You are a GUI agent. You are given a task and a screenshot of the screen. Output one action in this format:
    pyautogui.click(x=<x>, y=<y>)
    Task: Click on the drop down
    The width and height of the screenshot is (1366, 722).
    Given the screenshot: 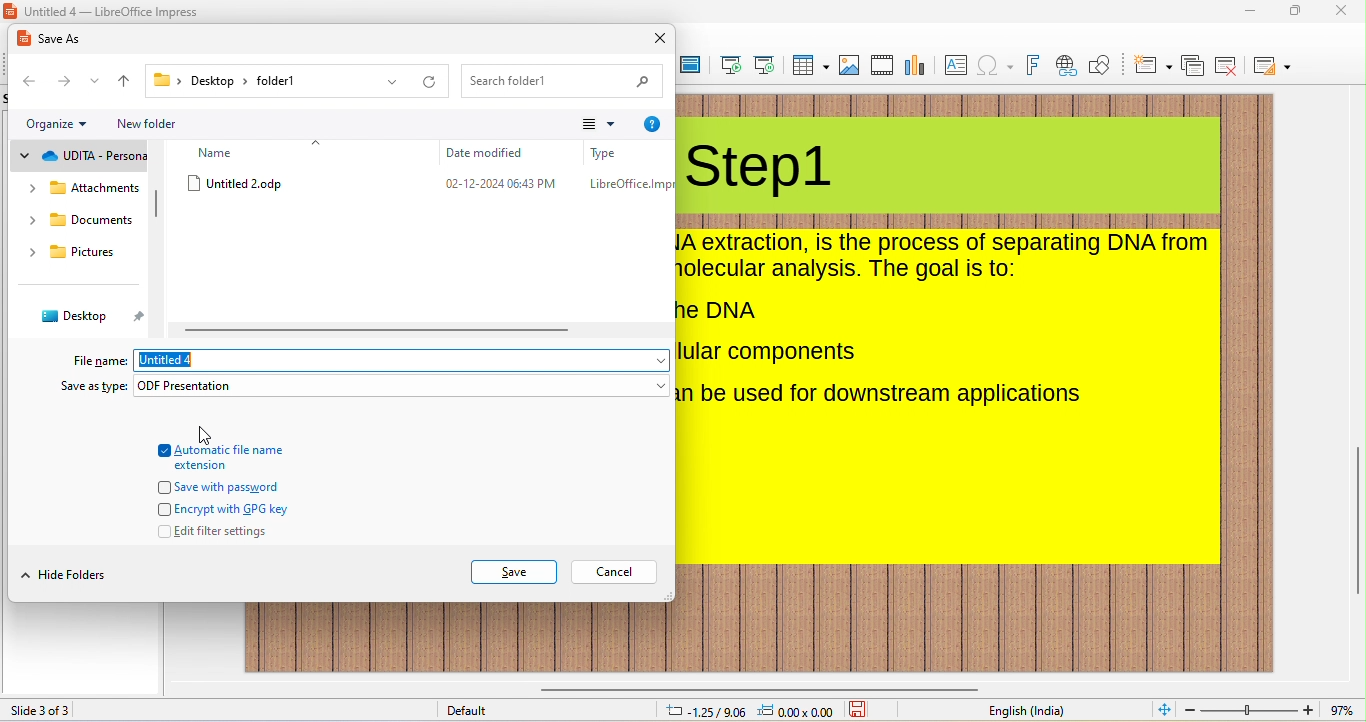 What is the action you would take?
    pyautogui.click(x=389, y=83)
    